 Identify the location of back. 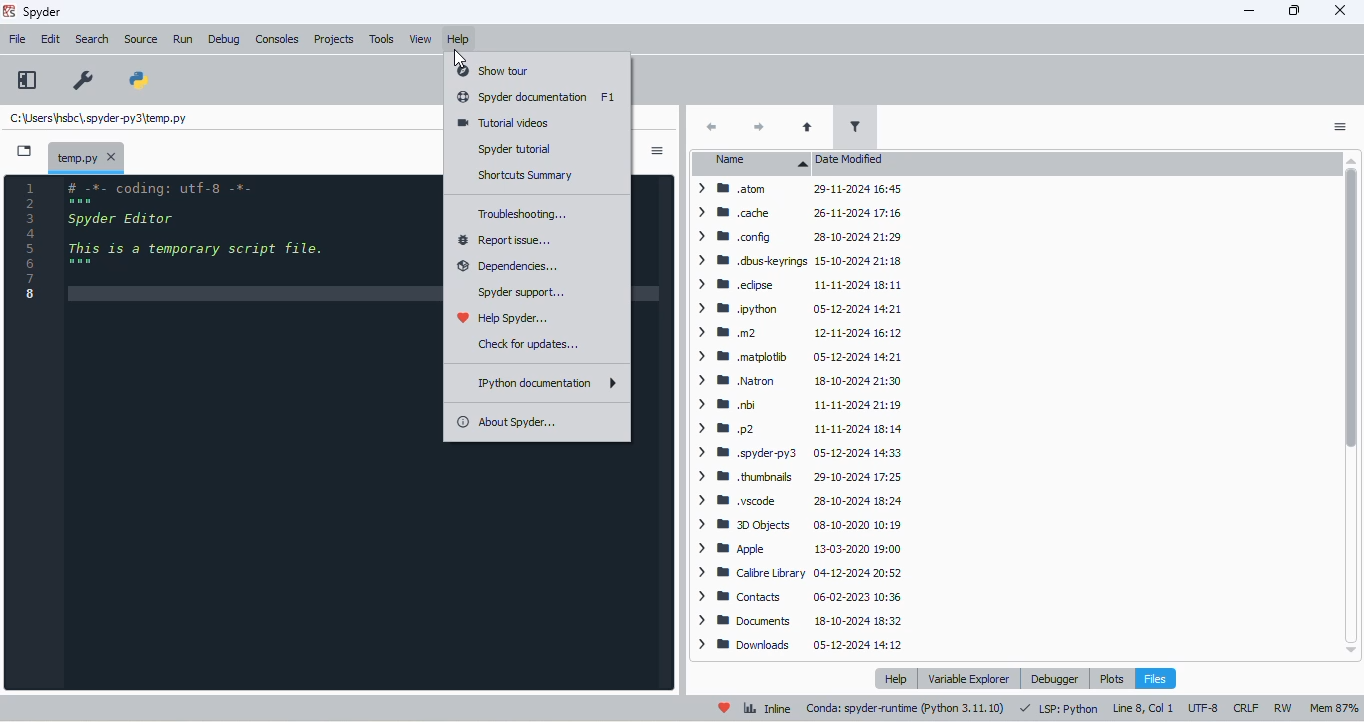
(712, 127).